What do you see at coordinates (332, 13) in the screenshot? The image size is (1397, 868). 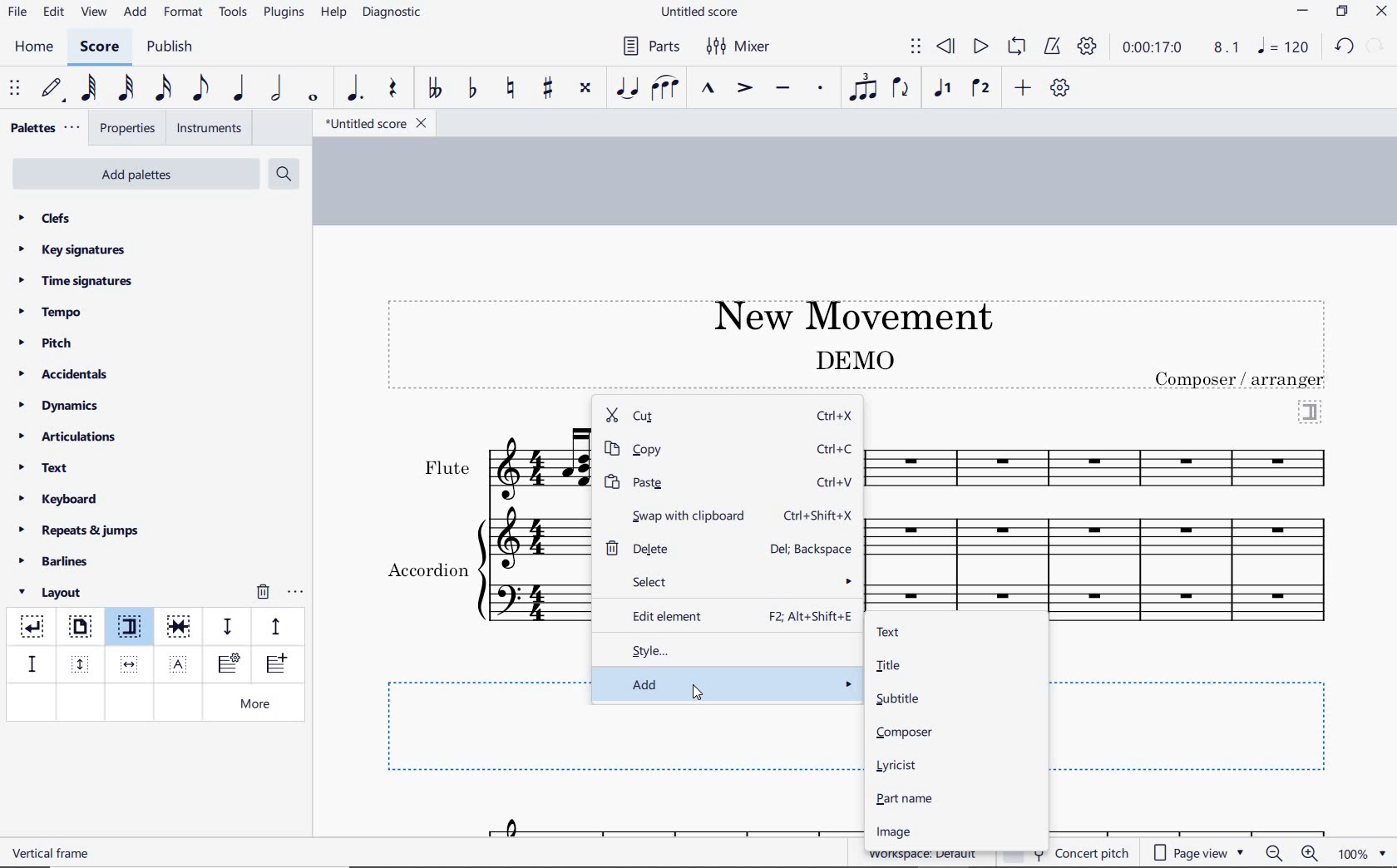 I see `help` at bounding box center [332, 13].